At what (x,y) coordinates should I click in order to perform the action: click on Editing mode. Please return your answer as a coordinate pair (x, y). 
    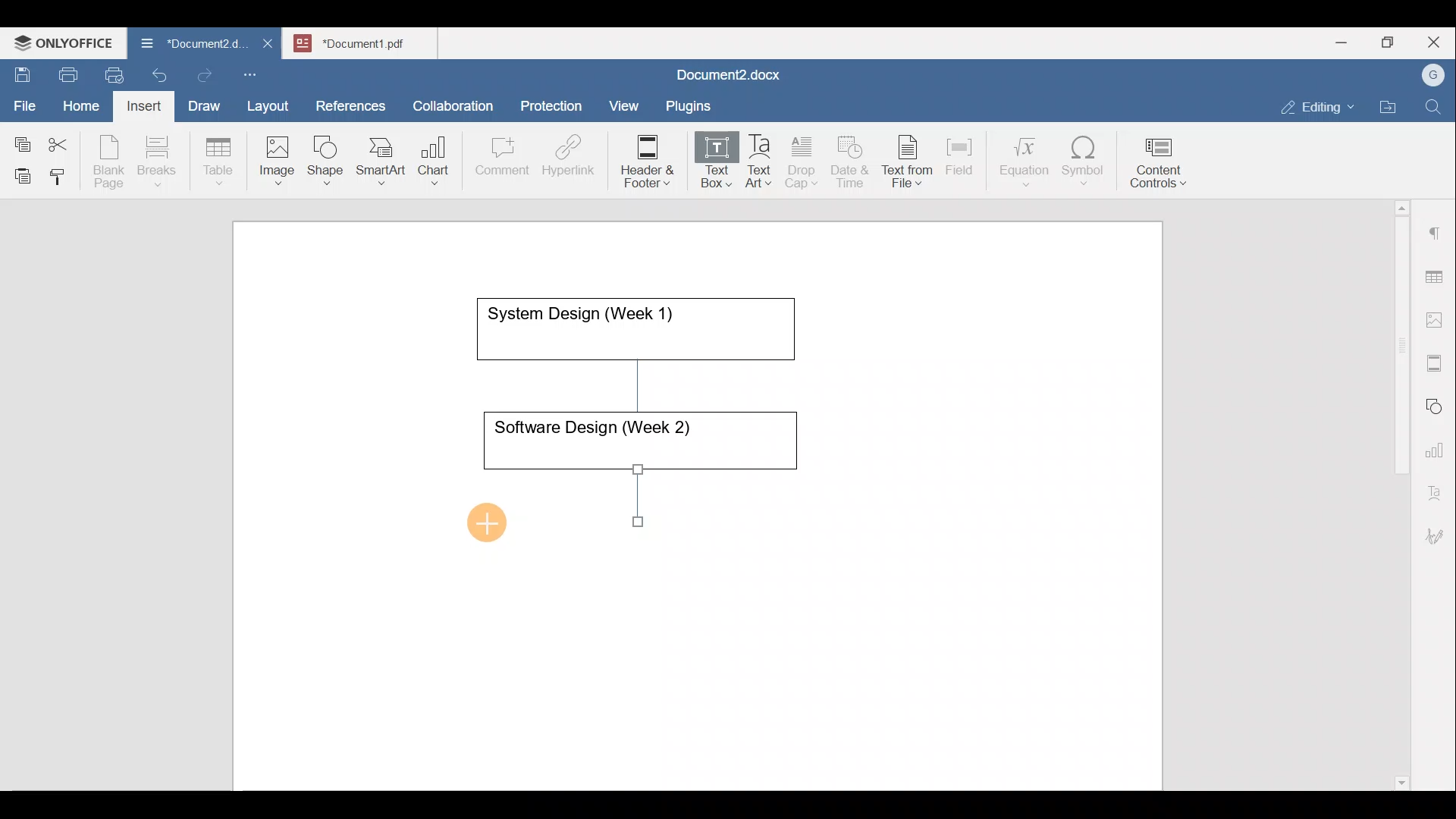
    Looking at the image, I should click on (1318, 104).